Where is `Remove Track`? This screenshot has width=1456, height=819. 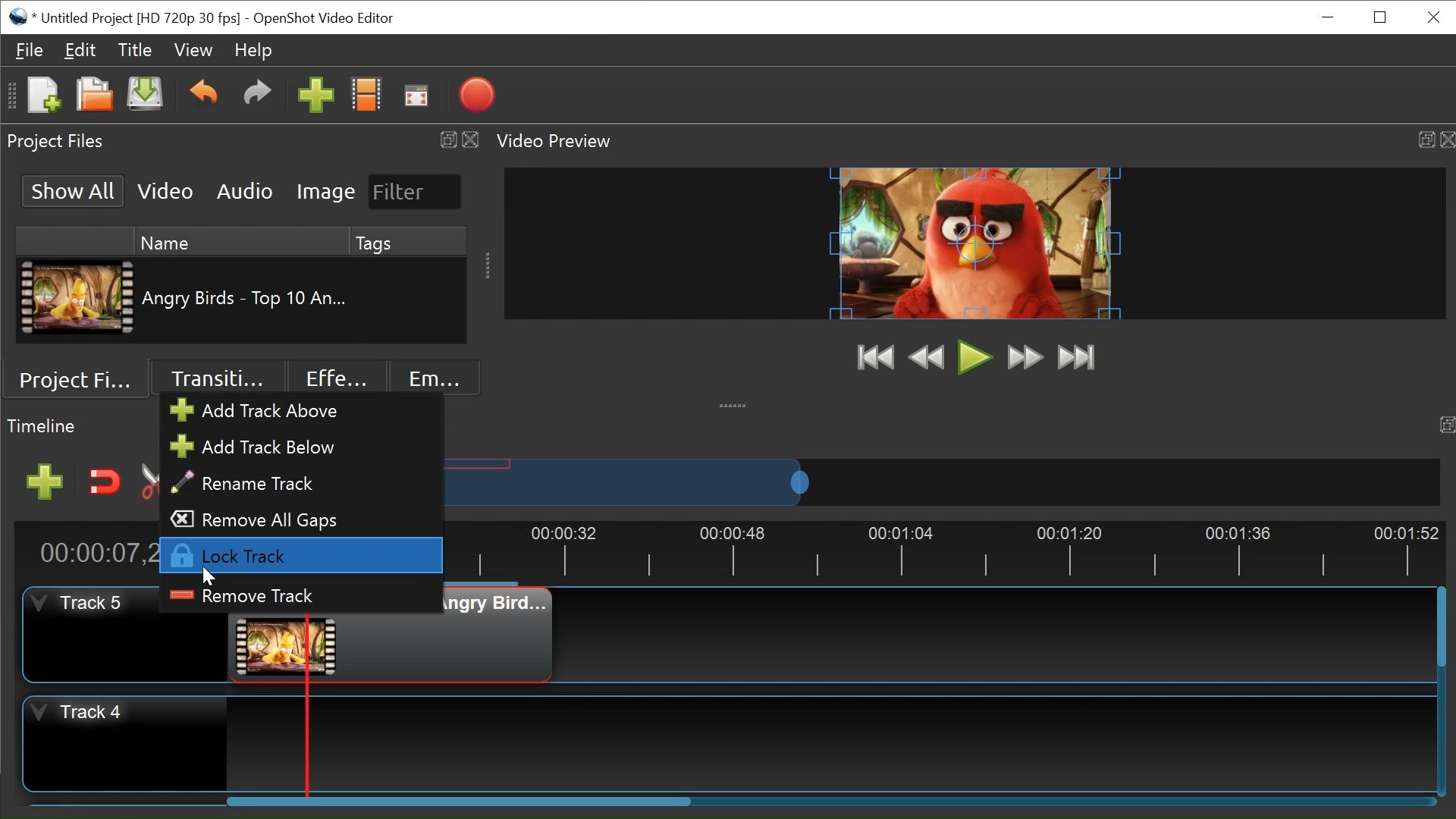
Remove Track is located at coordinates (245, 598).